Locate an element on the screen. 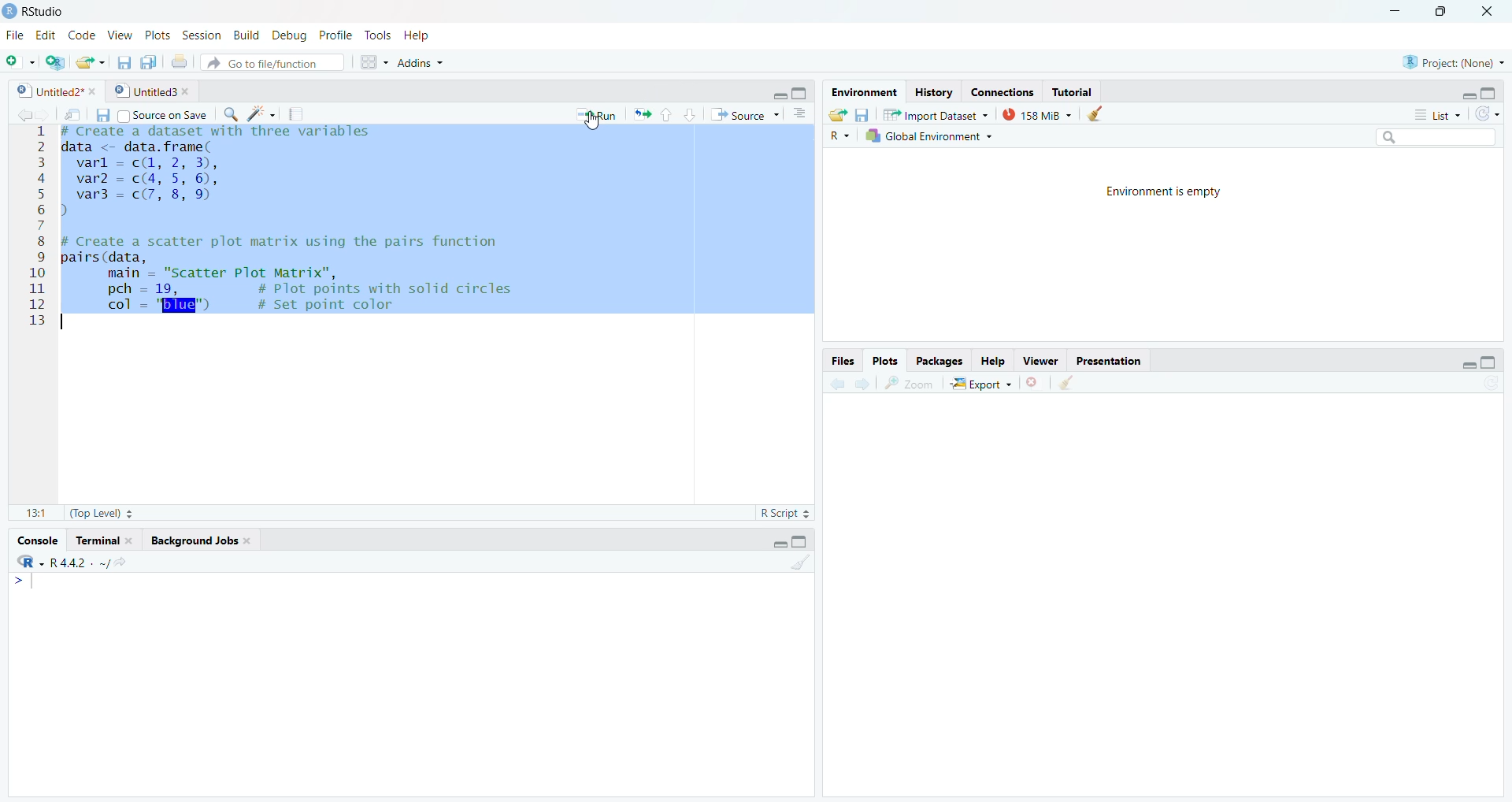 The height and width of the screenshot is (802, 1512). Code is located at coordinates (83, 34).